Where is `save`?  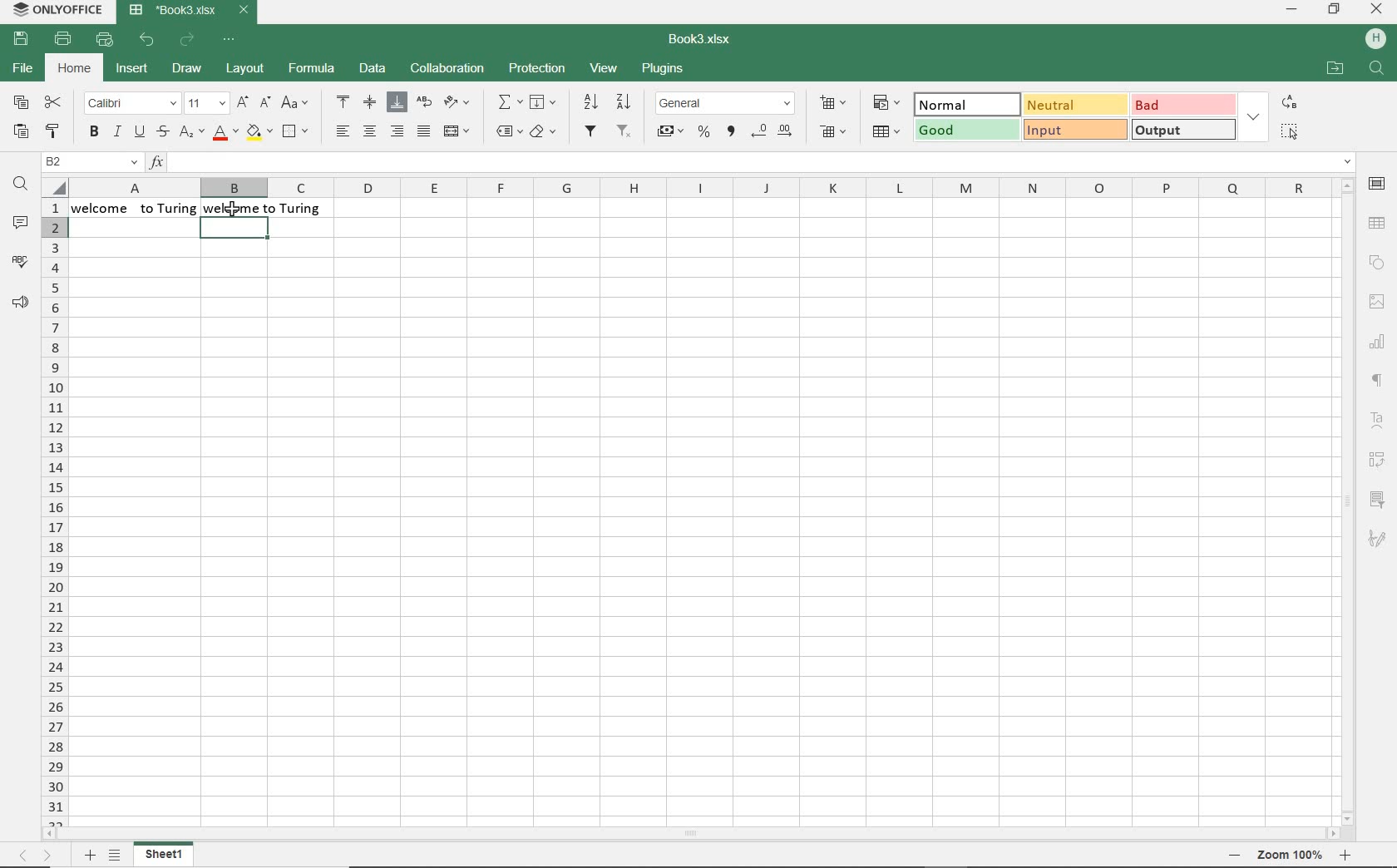
save is located at coordinates (21, 39).